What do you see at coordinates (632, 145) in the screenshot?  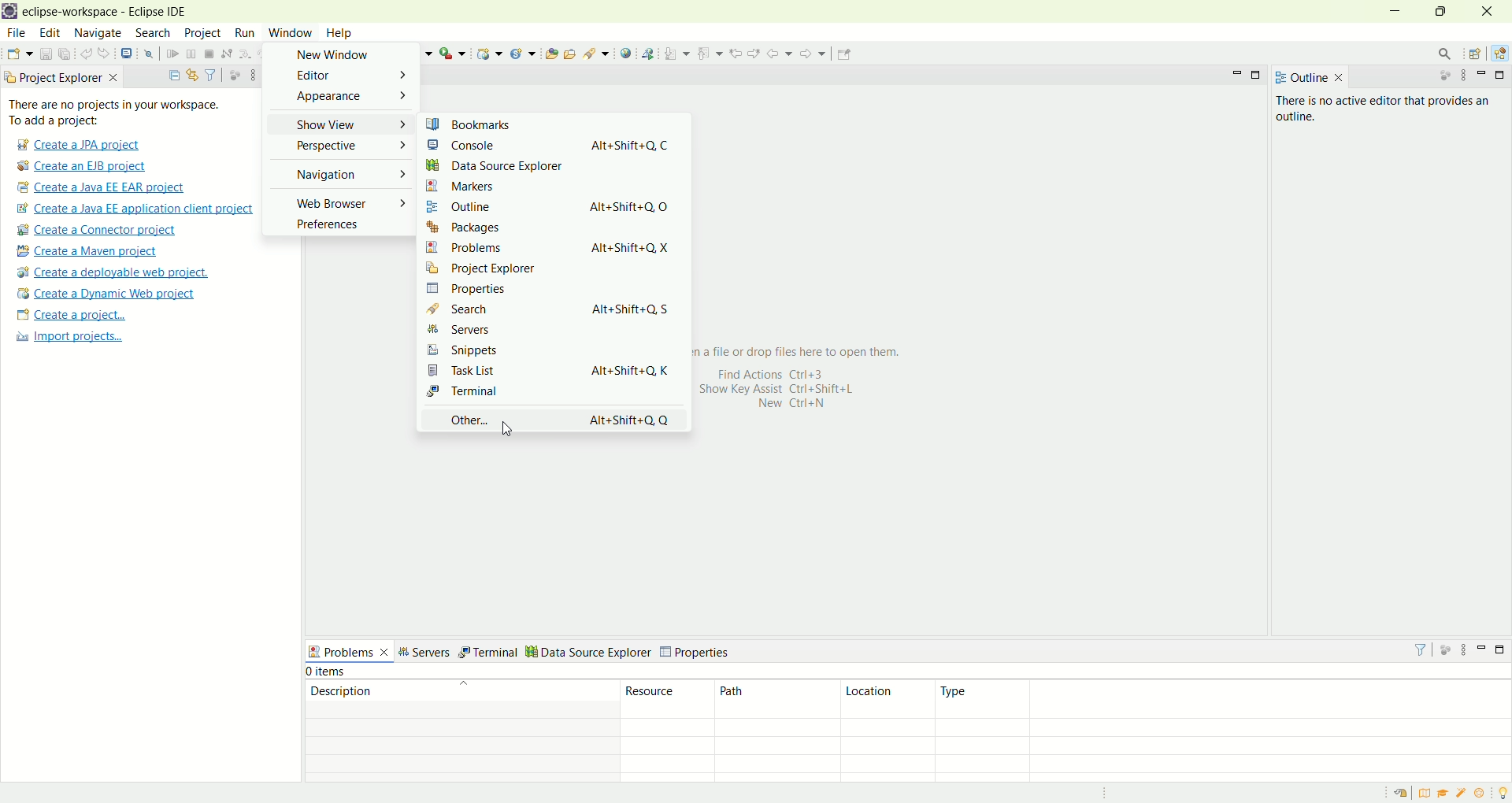 I see `Alt+Shift+Q, C` at bounding box center [632, 145].